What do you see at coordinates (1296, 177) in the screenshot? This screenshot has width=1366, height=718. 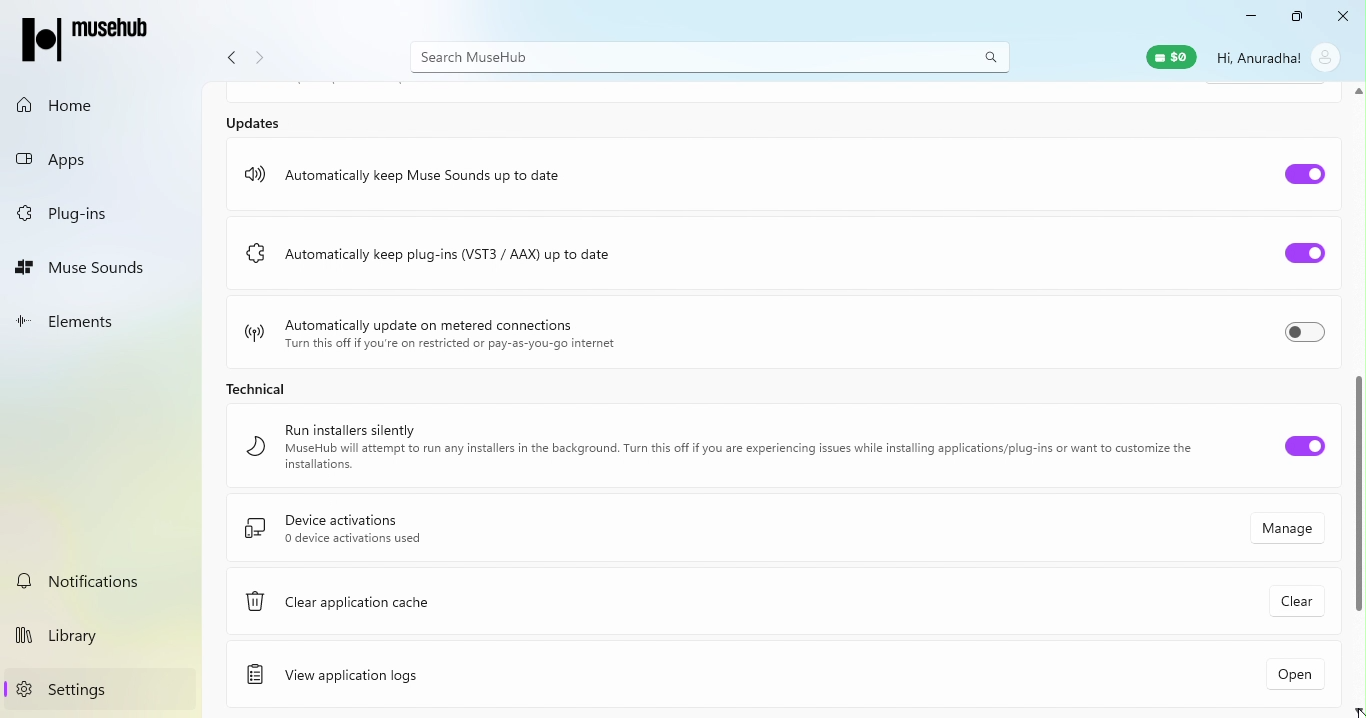 I see `Toggle` at bounding box center [1296, 177].